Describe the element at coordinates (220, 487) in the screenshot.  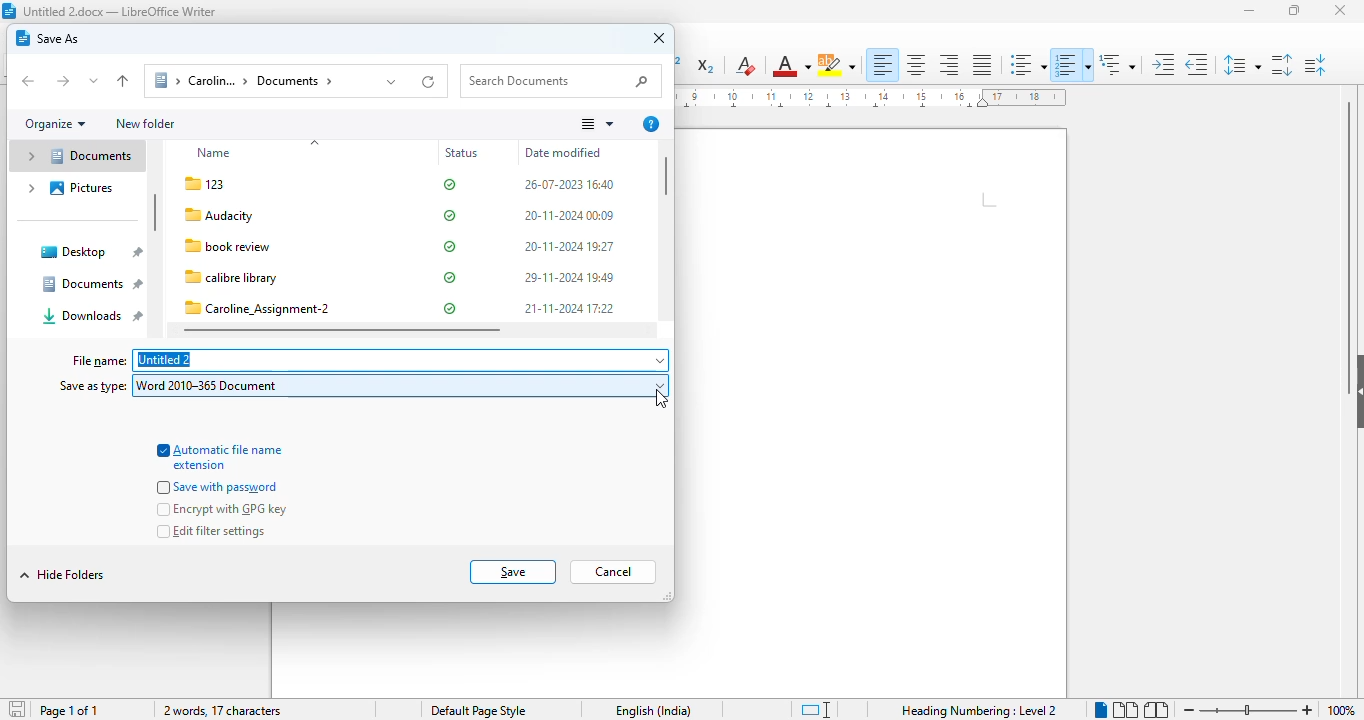
I see `save with password` at that location.